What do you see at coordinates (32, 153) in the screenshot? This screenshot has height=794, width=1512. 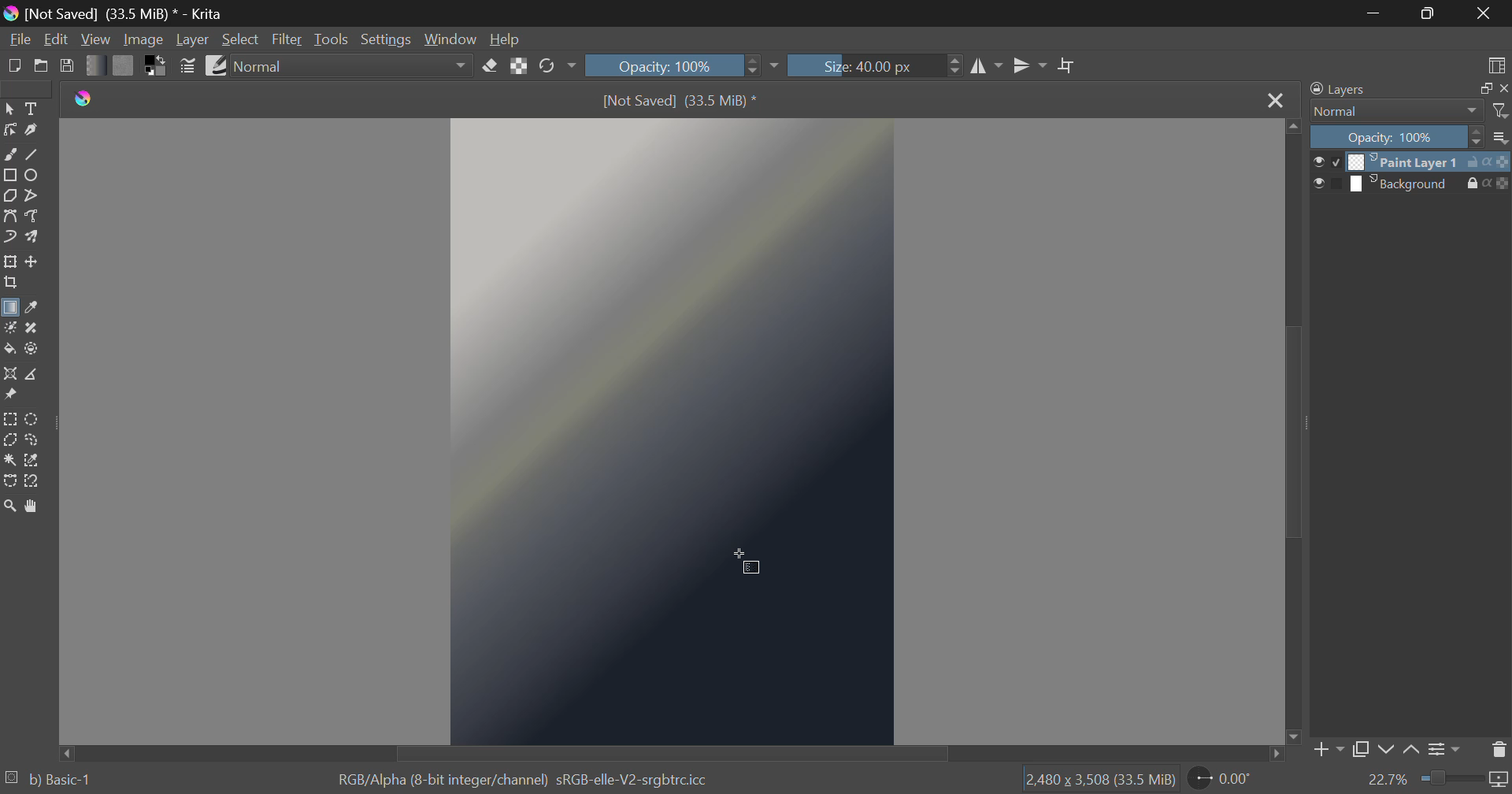 I see `Line` at bounding box center [32, 153].